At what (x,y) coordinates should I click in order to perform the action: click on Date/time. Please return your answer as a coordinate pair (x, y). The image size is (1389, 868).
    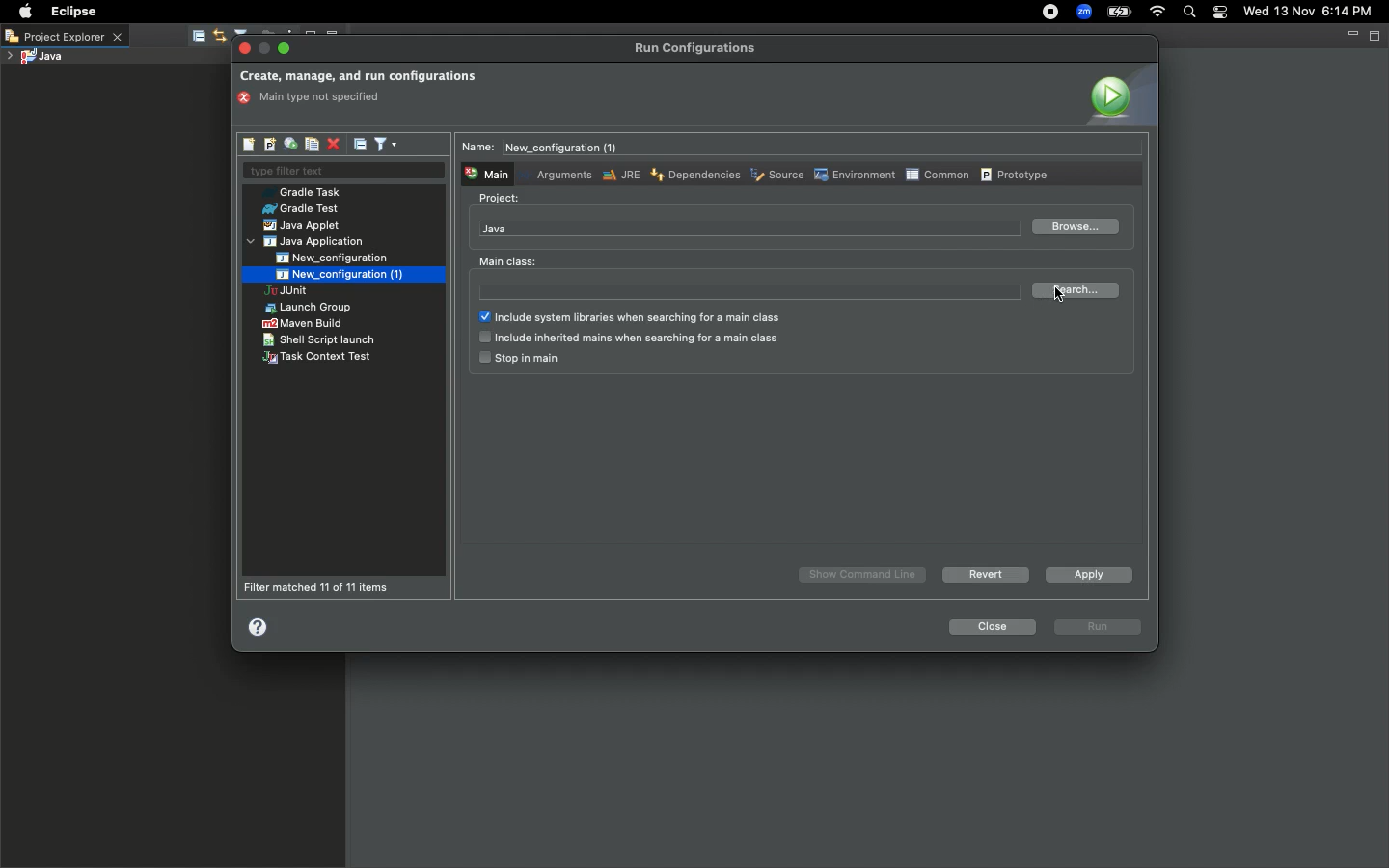
    Looking at the image, I should click on (1316, 11).